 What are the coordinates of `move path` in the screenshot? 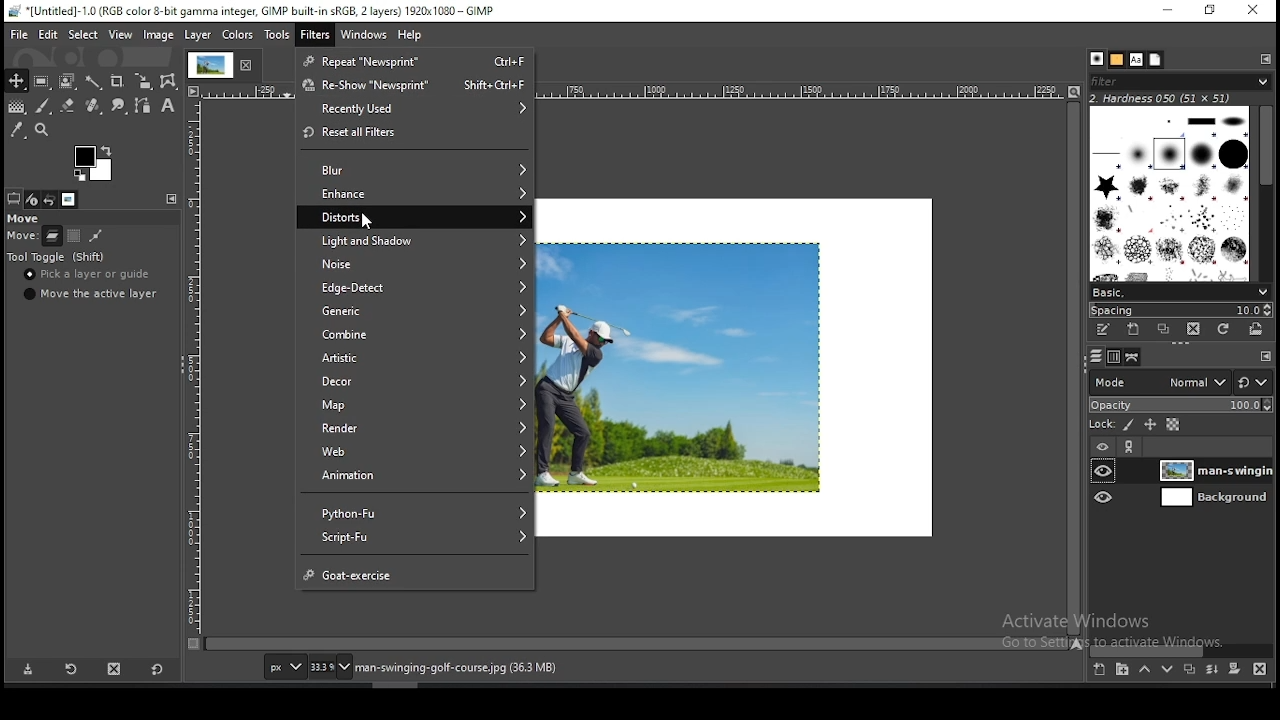 It's located at (97, 235).